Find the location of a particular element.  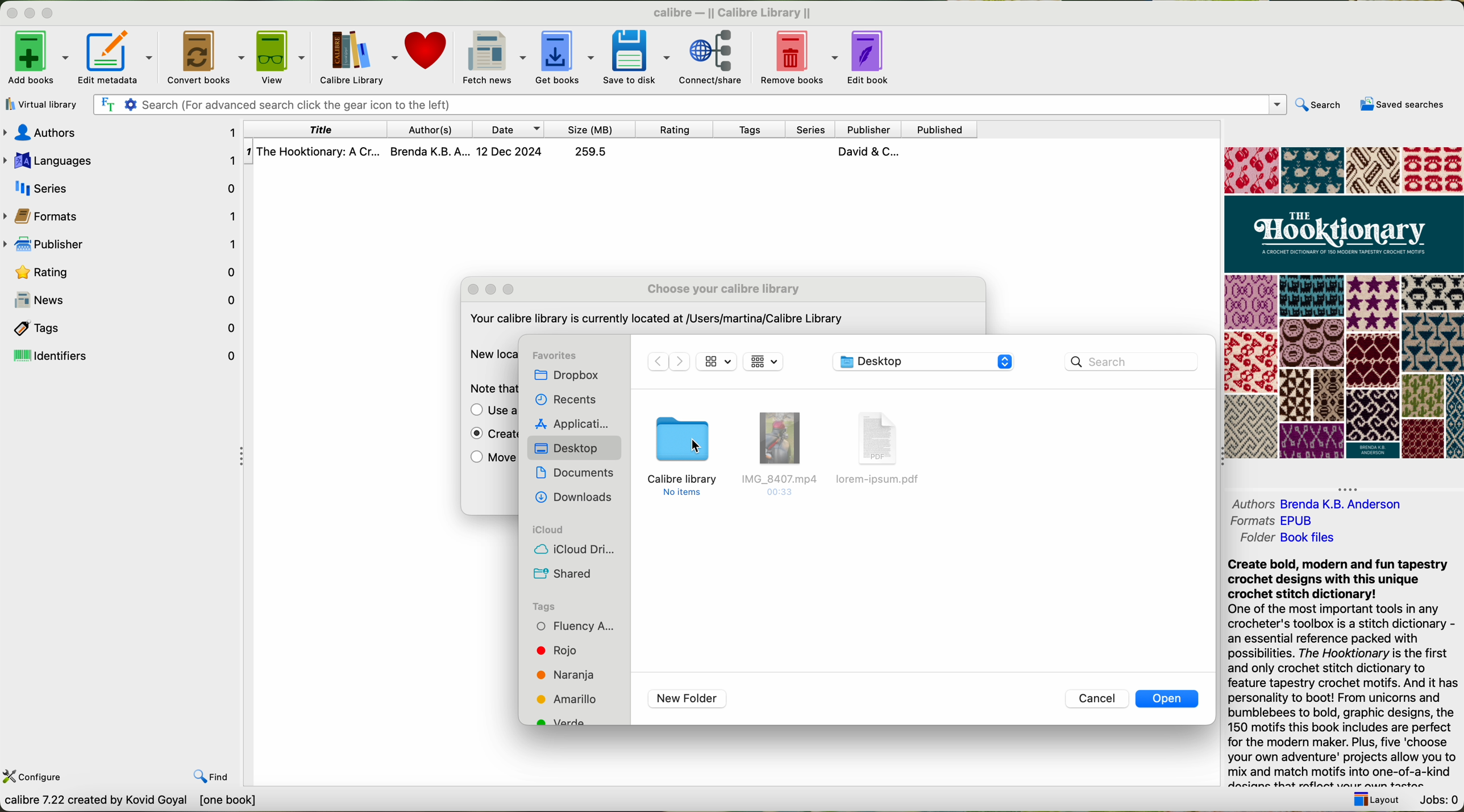

cover book preview is located at coordinates (1342, 303).